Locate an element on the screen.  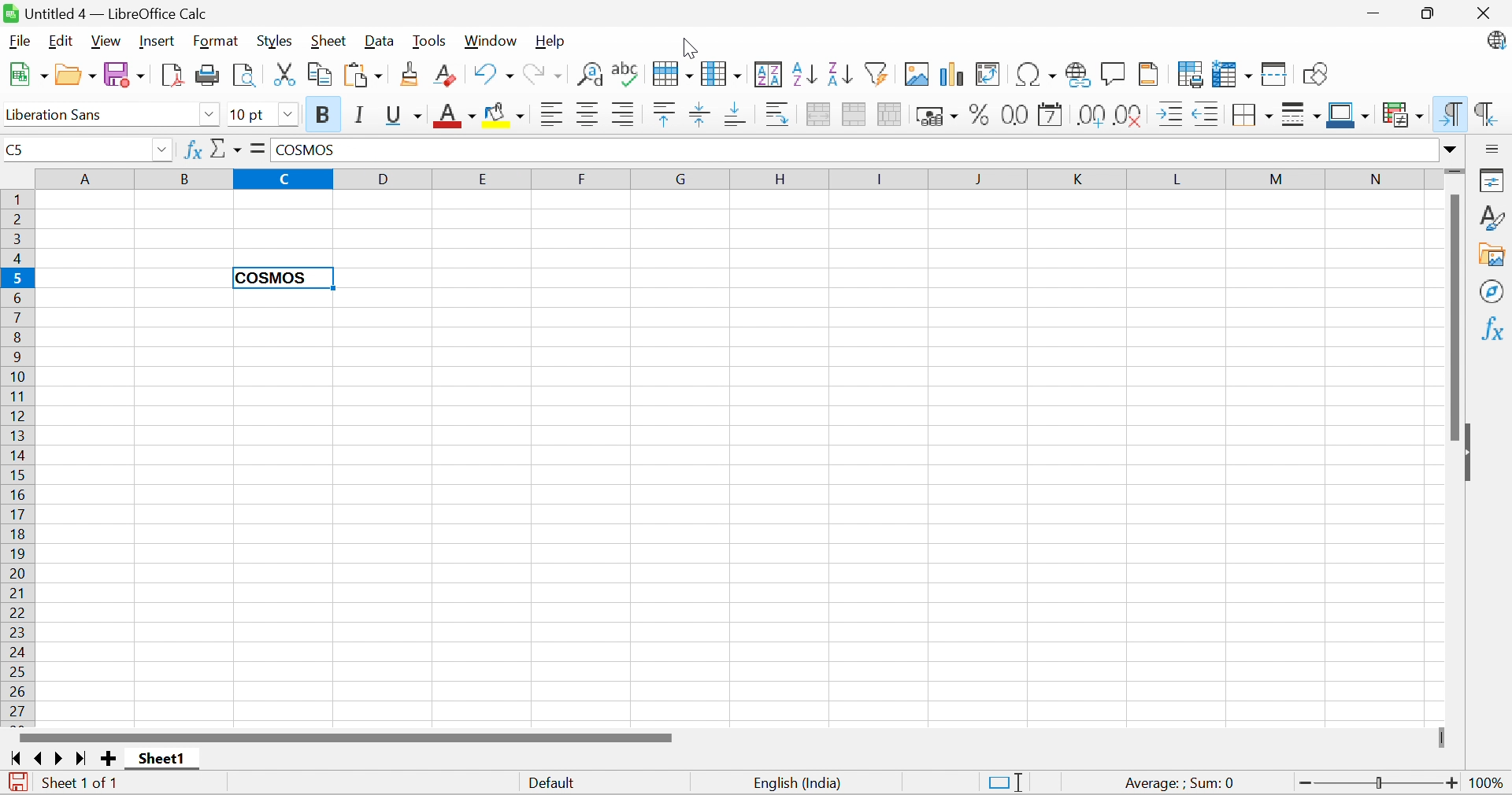
Restore Down is located at coordinates (1428, 12).